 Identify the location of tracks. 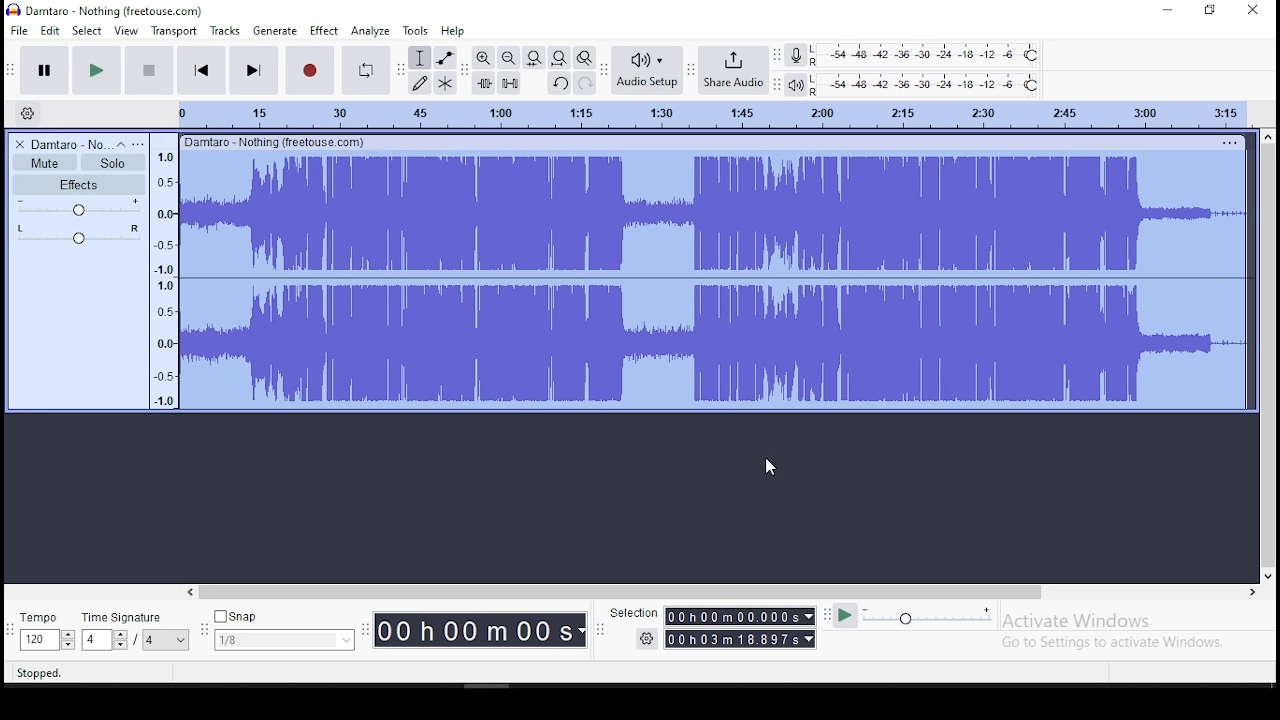
(225, 30).